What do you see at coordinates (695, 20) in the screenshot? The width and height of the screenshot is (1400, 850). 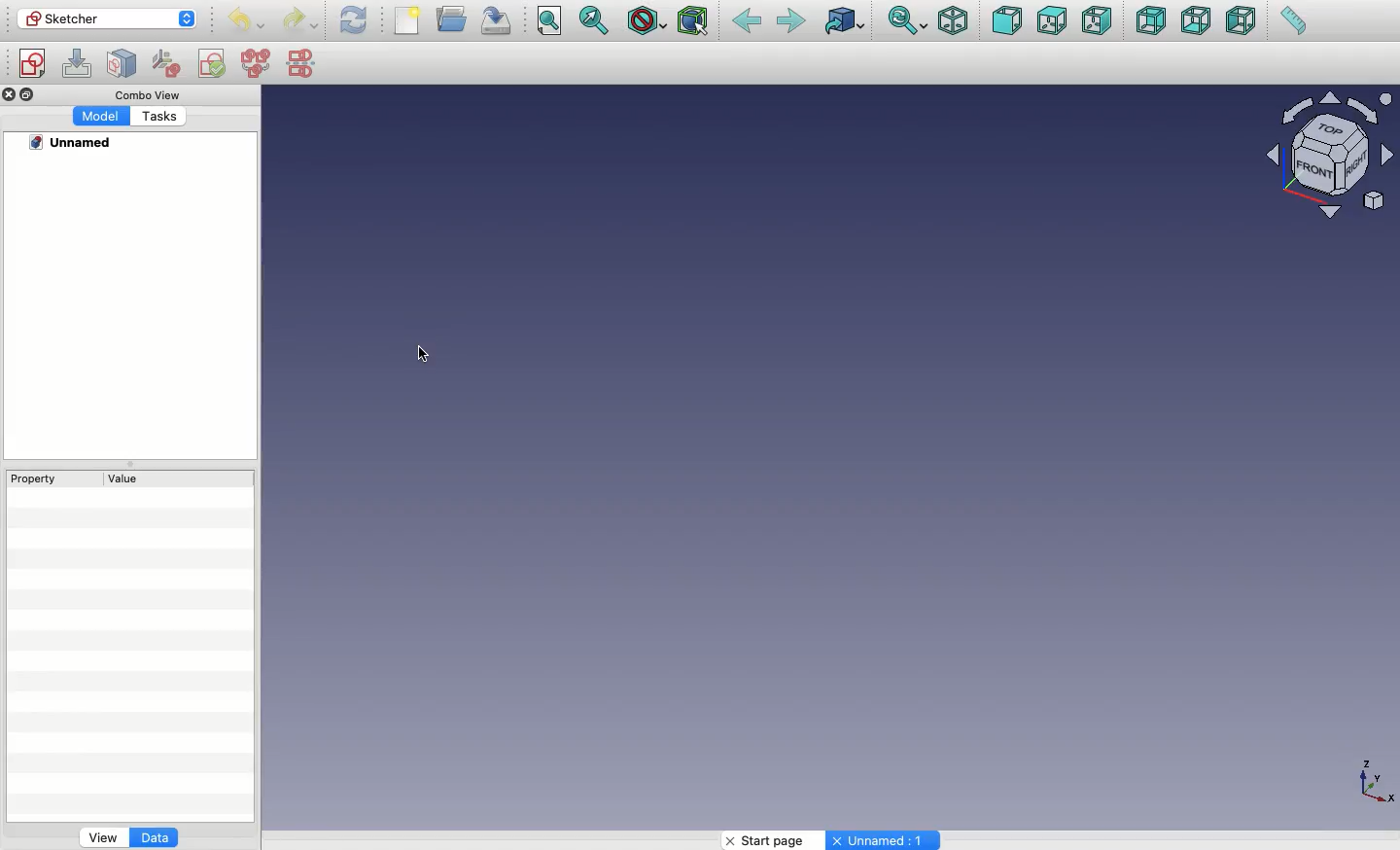 I see `Bounding box` at bounding box center [695, 20].